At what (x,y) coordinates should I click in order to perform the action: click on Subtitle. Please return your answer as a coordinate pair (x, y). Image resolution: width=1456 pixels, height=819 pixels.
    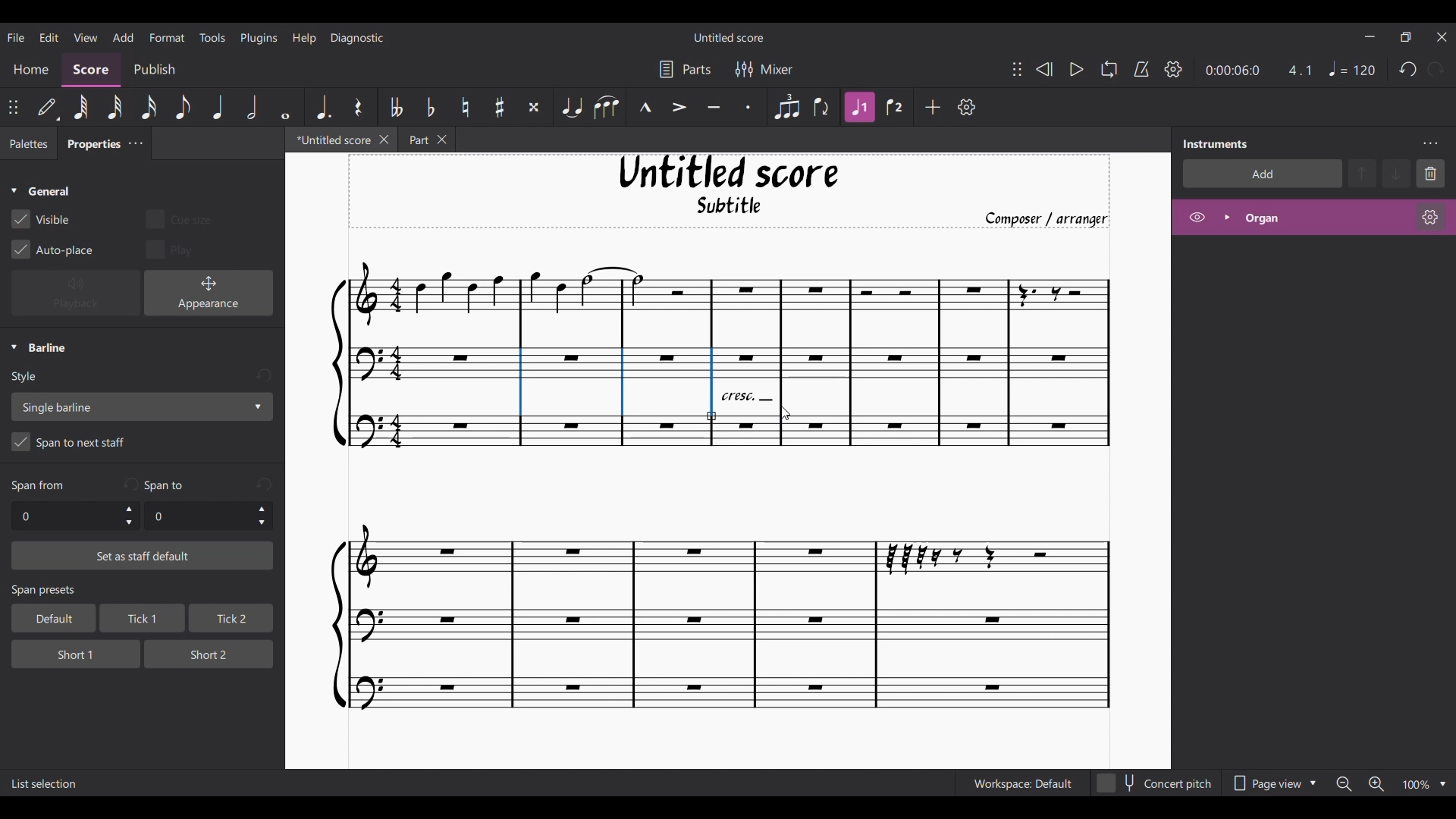
    Looking at the image, I should click on (731, 209).